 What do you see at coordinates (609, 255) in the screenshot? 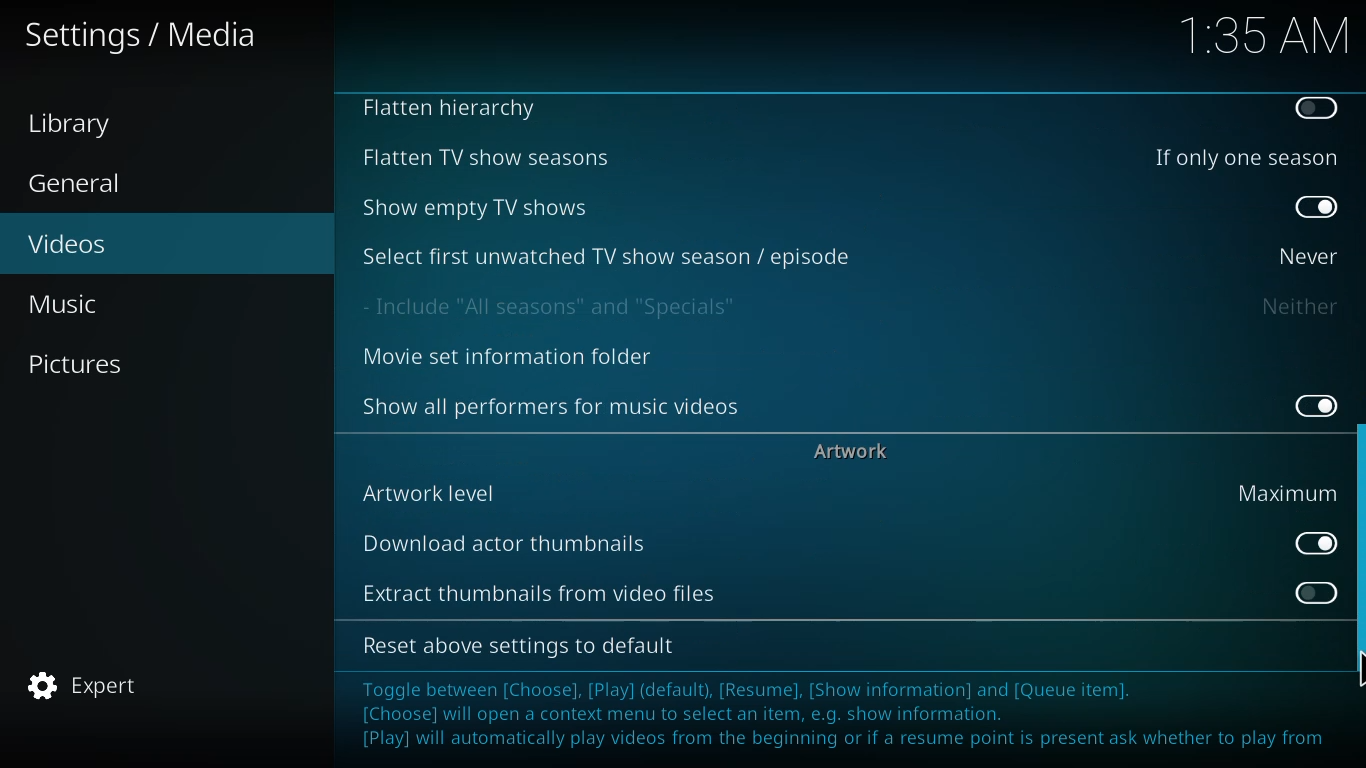
I see `select first unwanted TV show` at bounding box center [609, 255].